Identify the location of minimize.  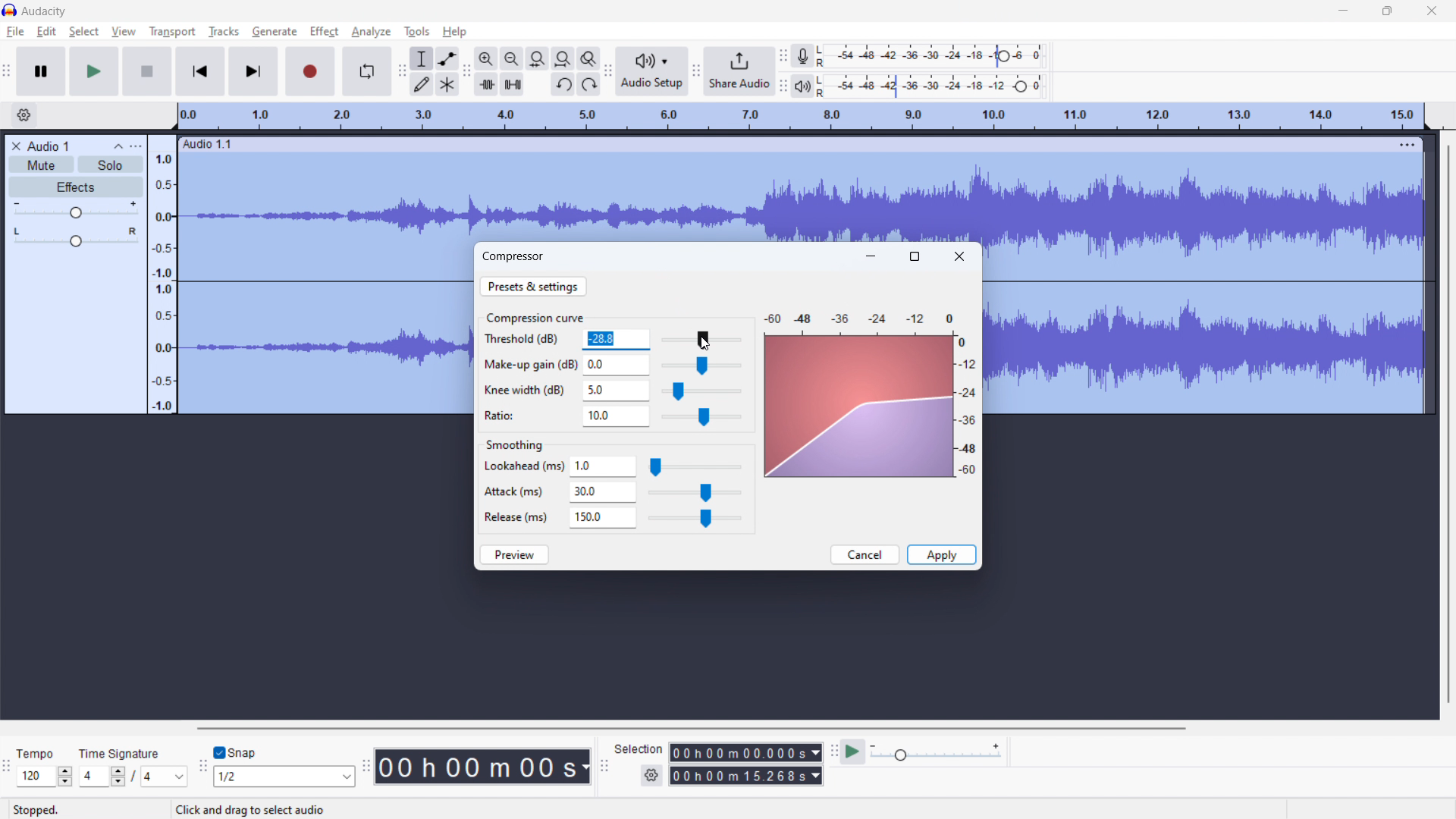
(871, 256).